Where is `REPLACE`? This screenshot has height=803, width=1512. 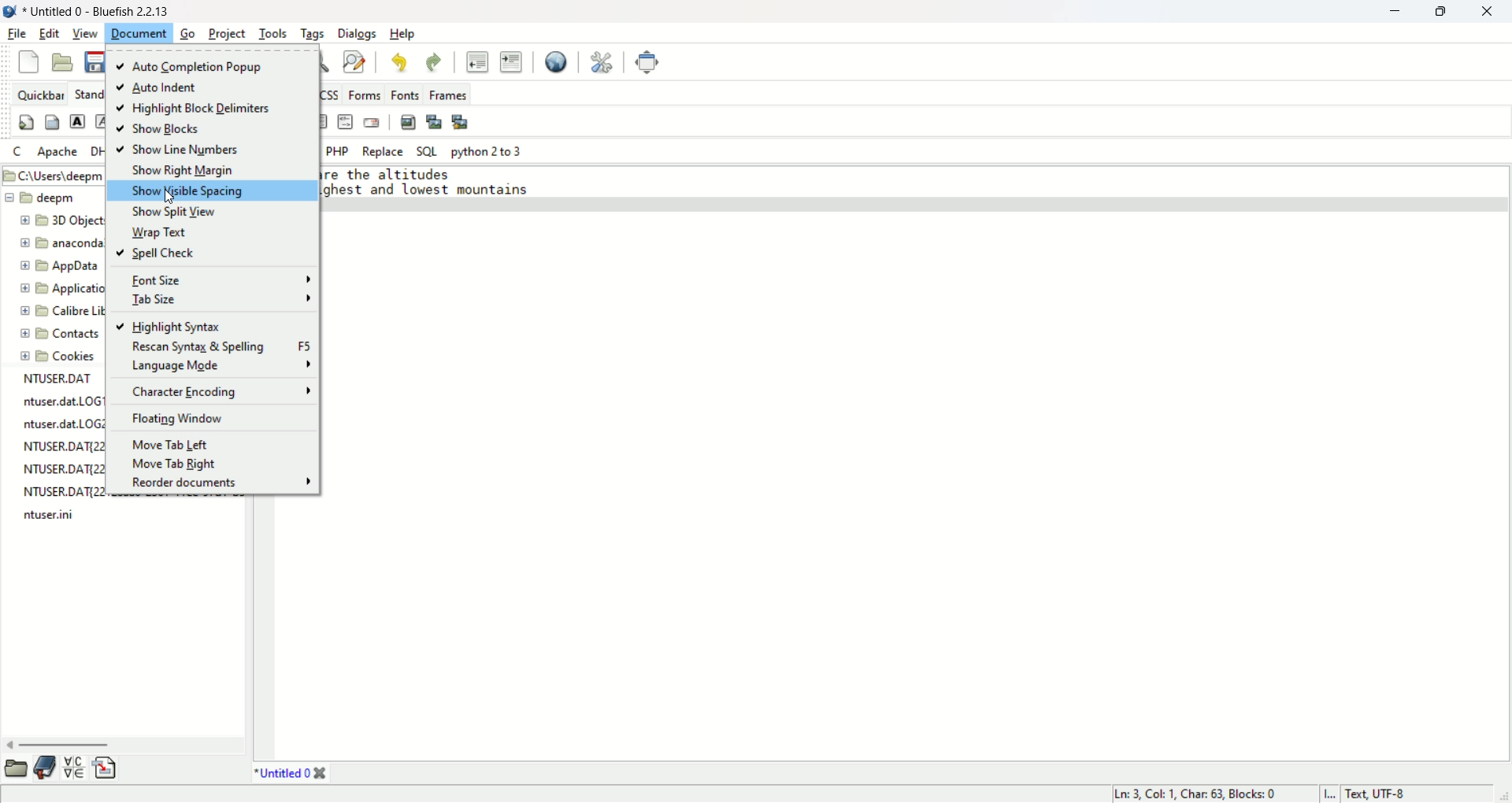
REPLACE is located at coordinates (383, 152).